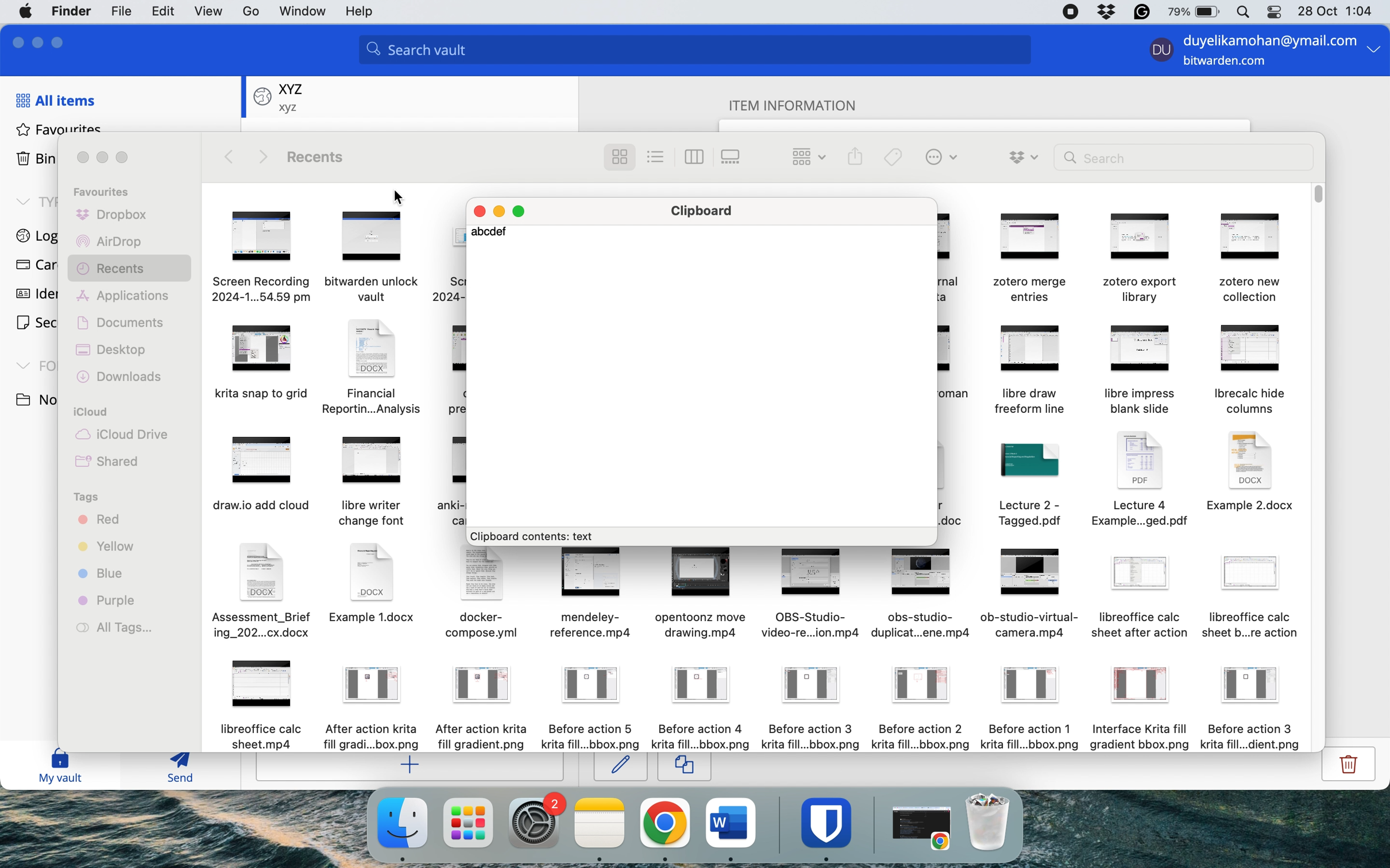  I want to click on chrome, so click(665, 823).